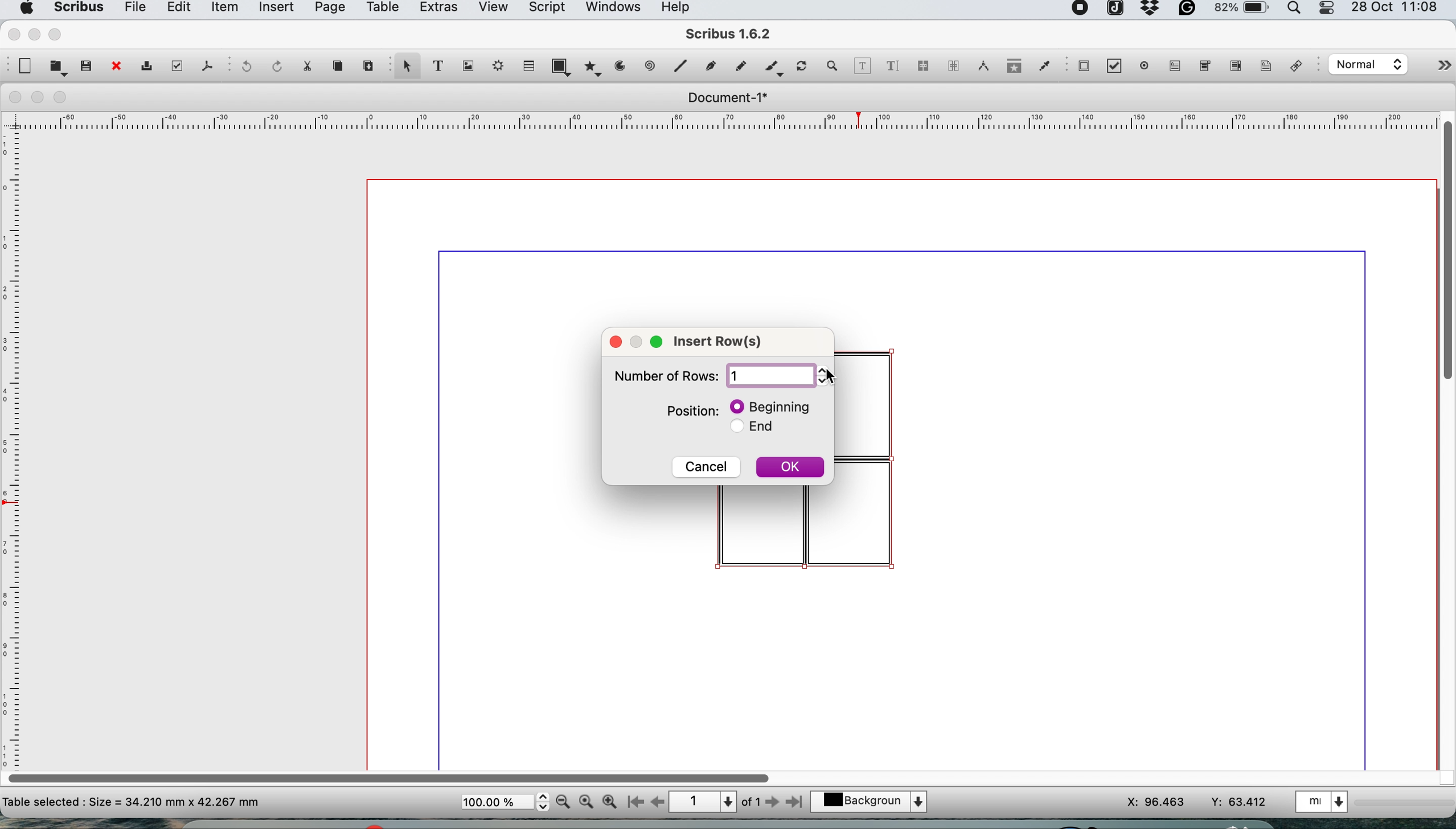 Image resolution: width=1456 pixels, height=829 pixels. What do you see at coordinates (827, 376) in the screenshot?
I see `increment or decrement number of rows` at bounding box center [827, 376].